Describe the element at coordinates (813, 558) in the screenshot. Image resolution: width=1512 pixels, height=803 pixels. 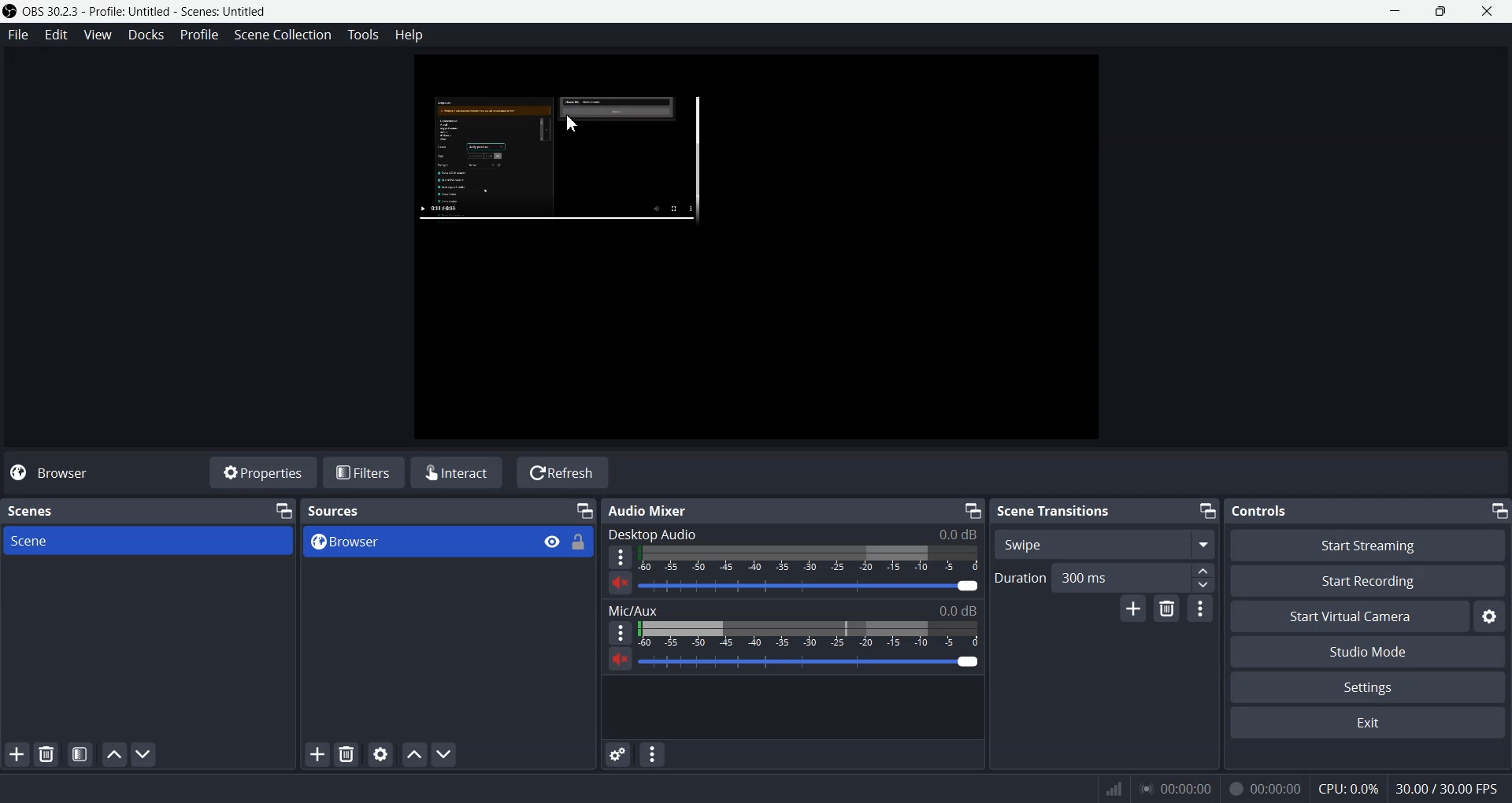
I see `Volume Indicator` at that location.